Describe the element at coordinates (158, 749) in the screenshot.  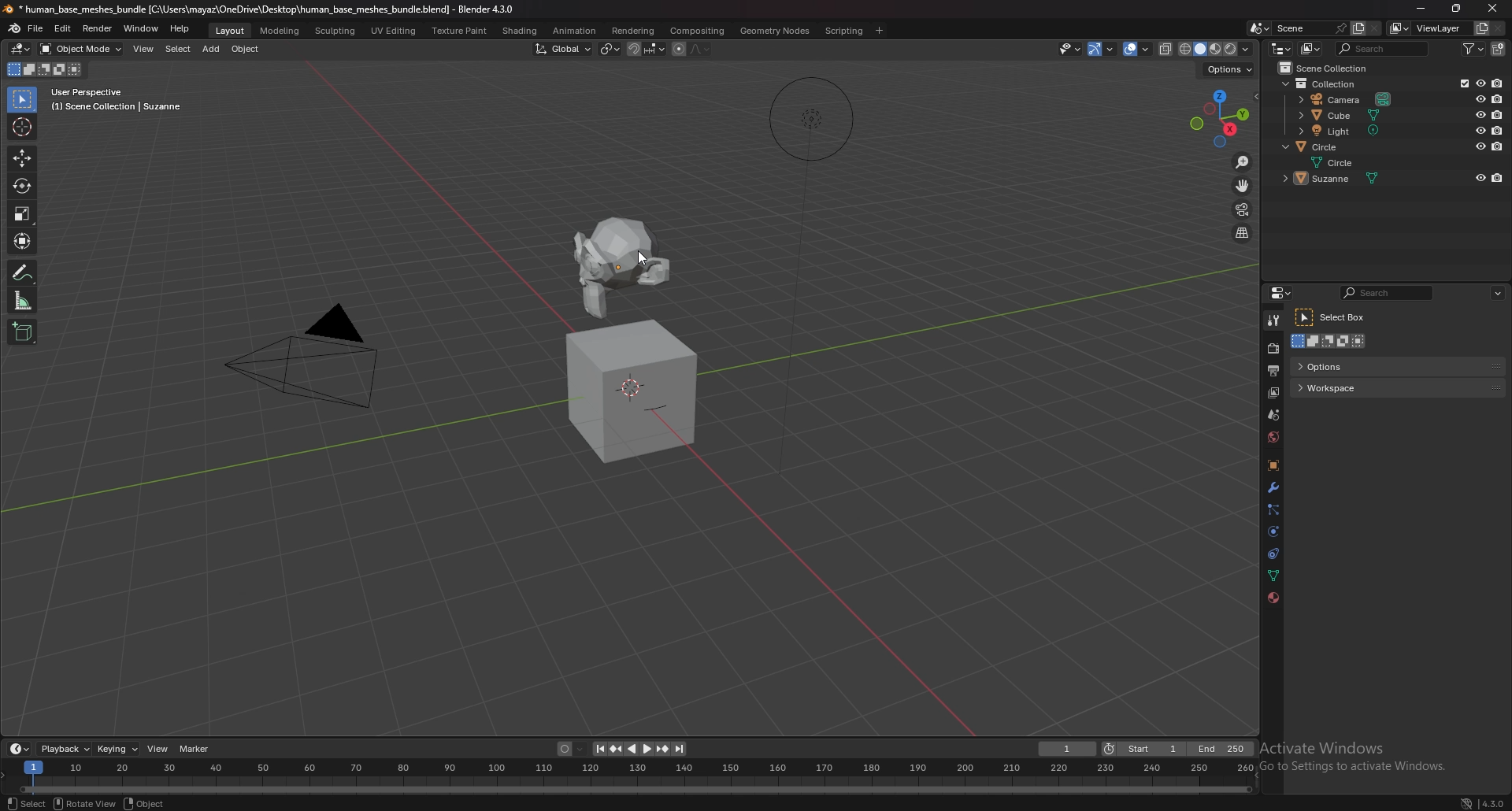
I see `view` at that location.